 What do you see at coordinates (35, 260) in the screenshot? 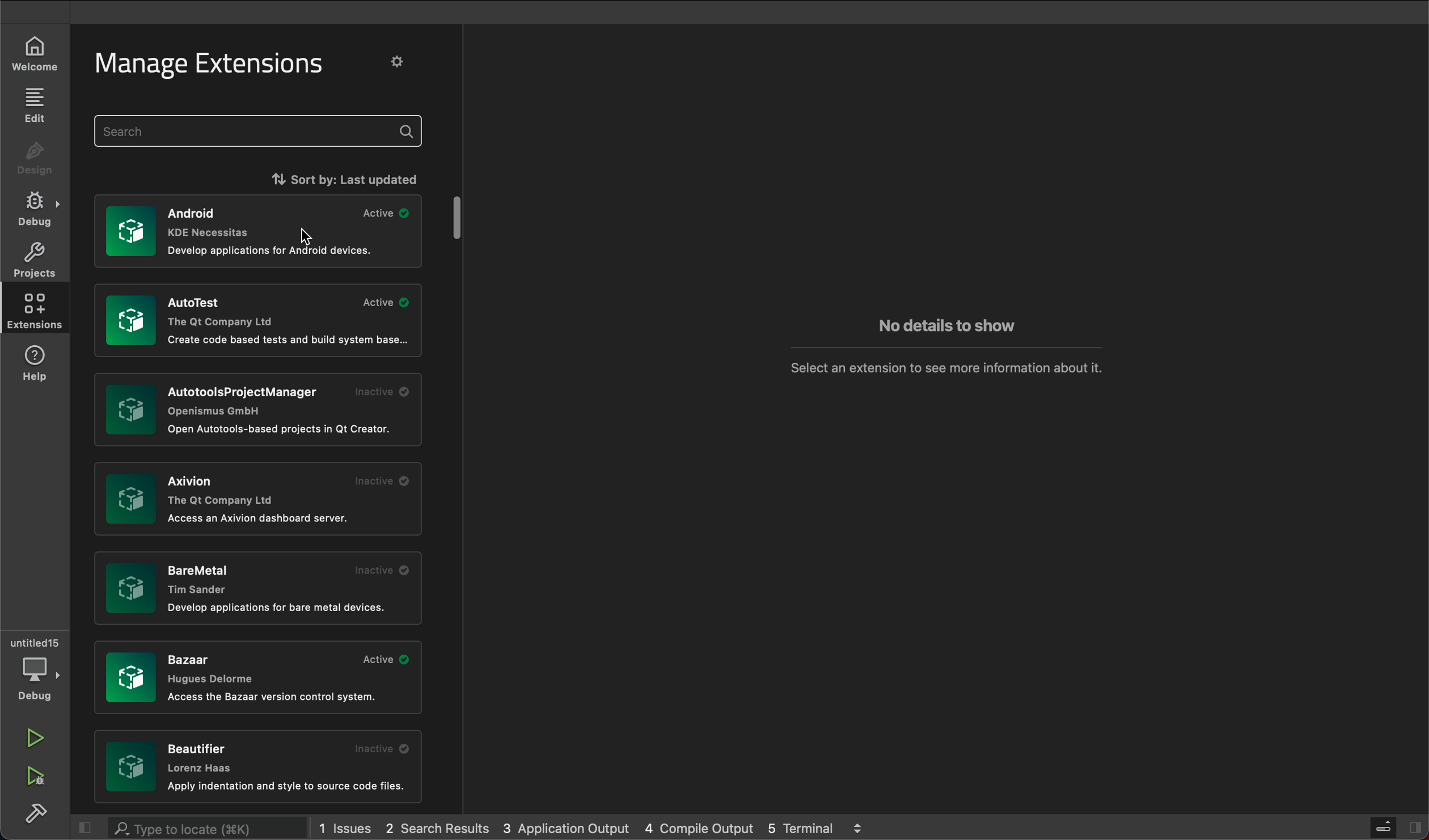
I see `projects` at bounding box center [35, 260].